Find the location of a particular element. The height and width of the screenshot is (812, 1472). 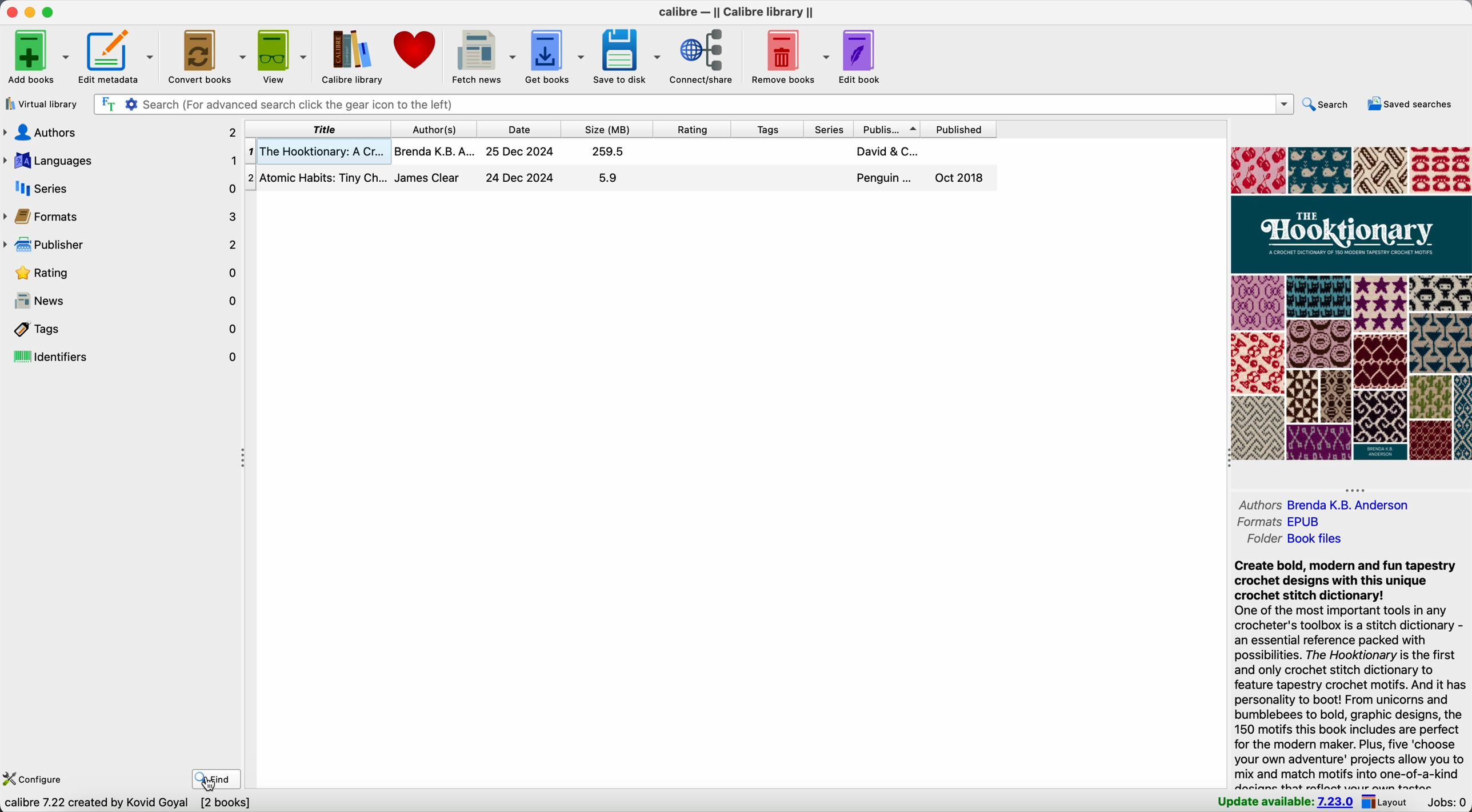

get books is located at coordinates (552, 56).